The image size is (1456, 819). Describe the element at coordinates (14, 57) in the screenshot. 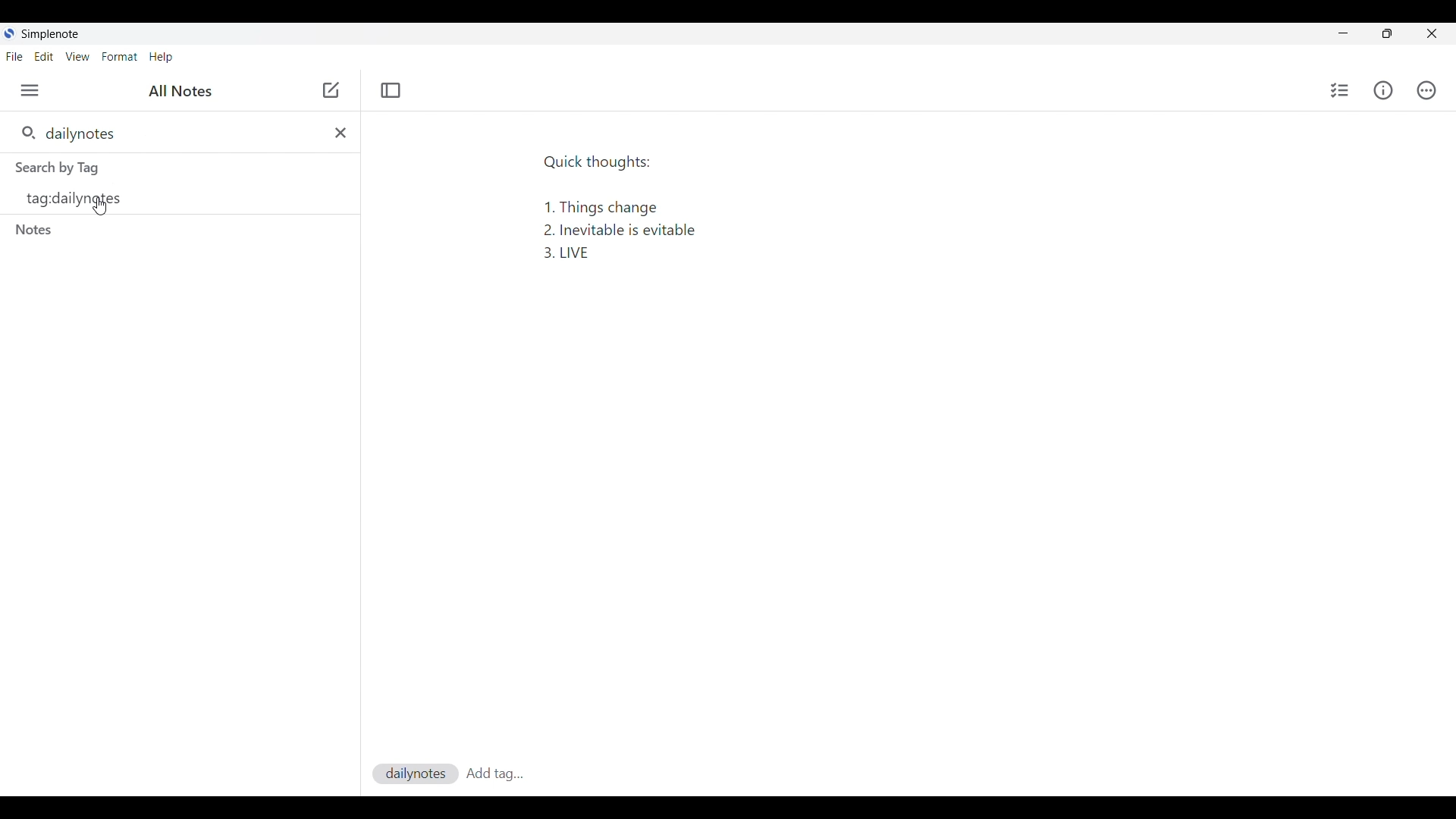

I see `File menu` at that location.